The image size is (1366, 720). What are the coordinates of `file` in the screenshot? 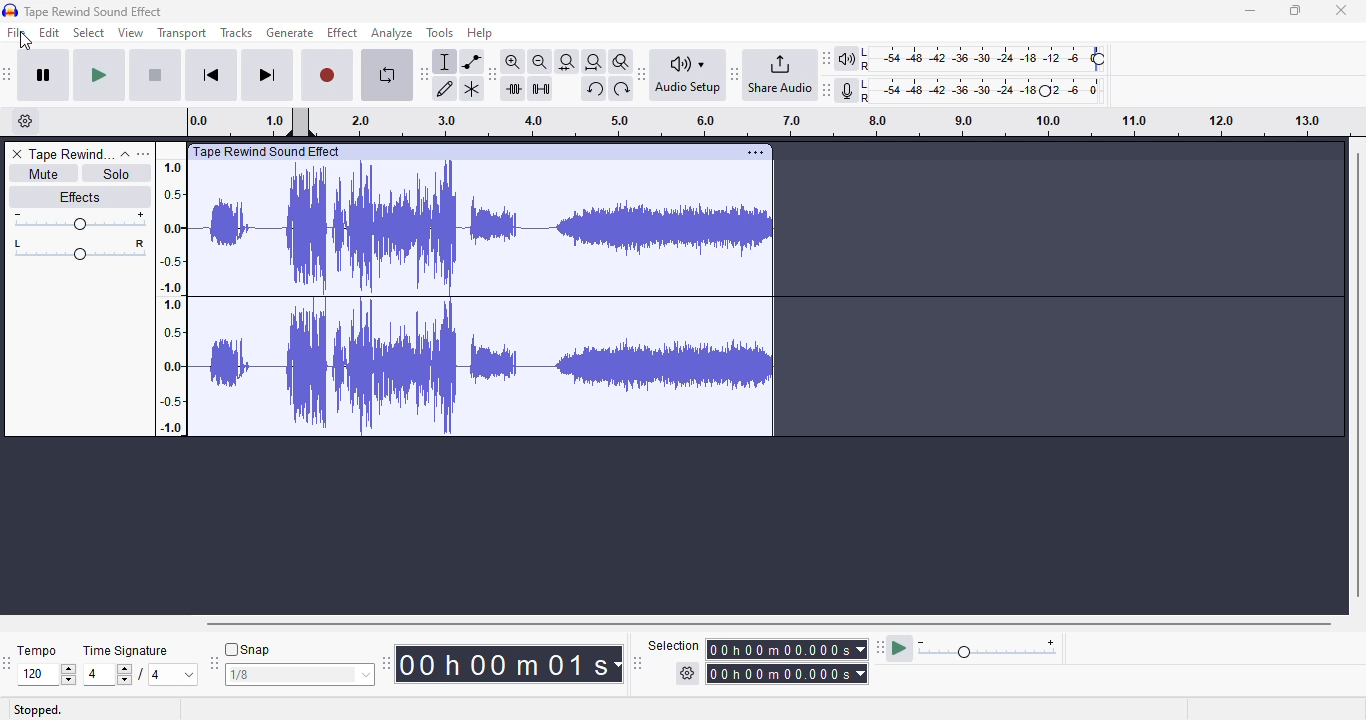 It's located at (17, 32).